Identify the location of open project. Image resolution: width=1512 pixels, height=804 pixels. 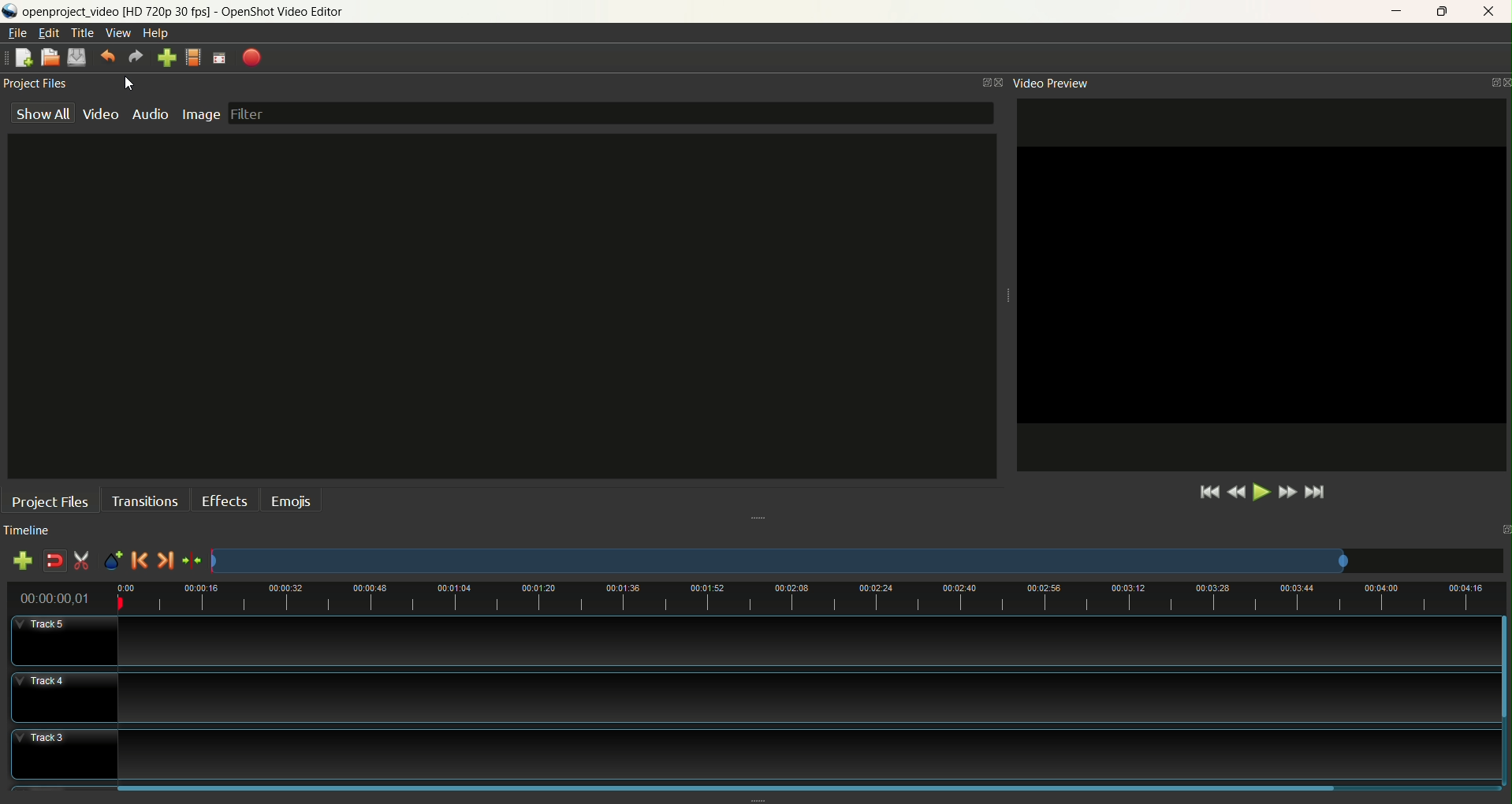
(50, 57).